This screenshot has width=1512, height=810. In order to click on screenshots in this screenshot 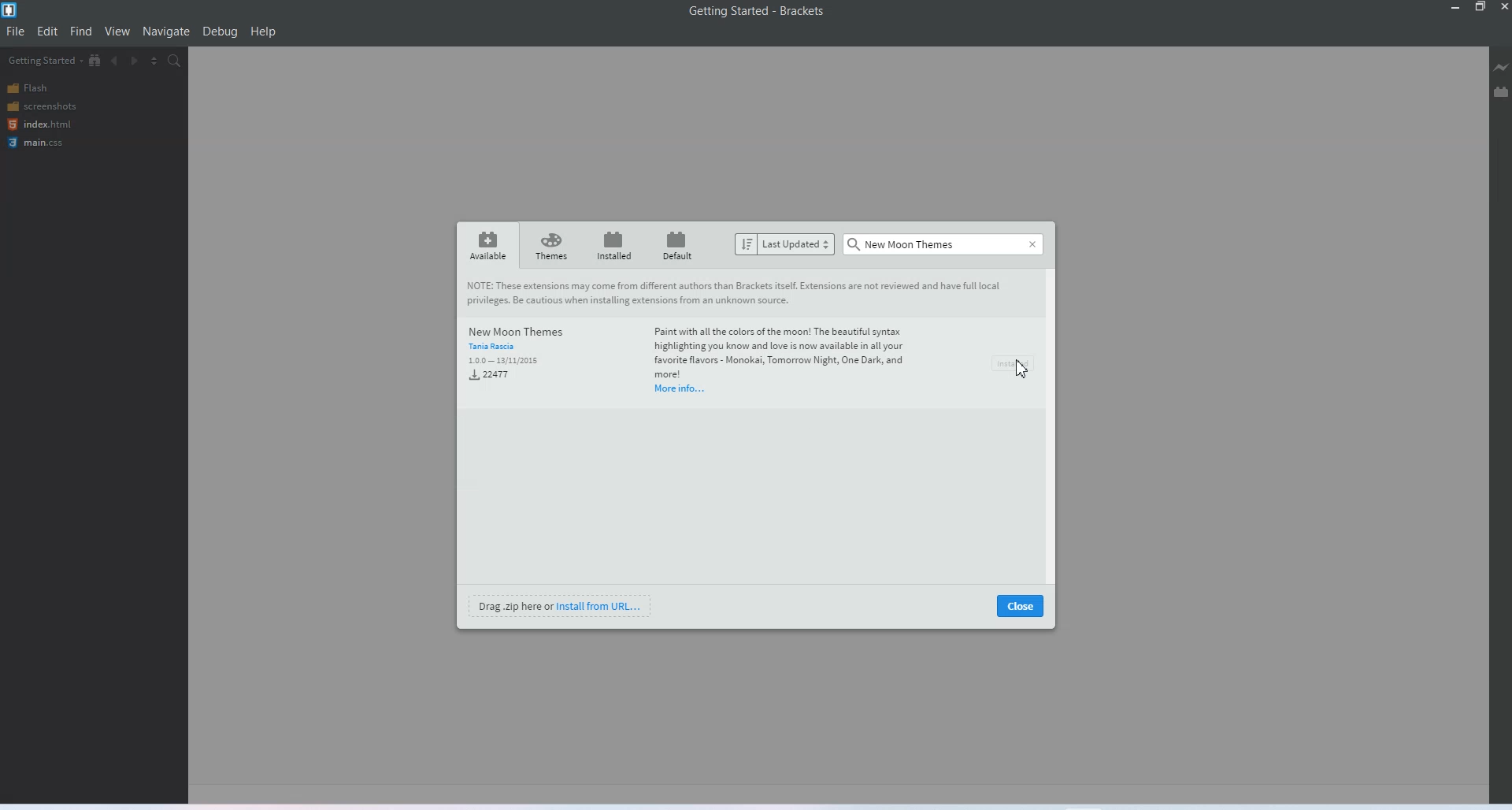, I will do `click(41, 106)`.